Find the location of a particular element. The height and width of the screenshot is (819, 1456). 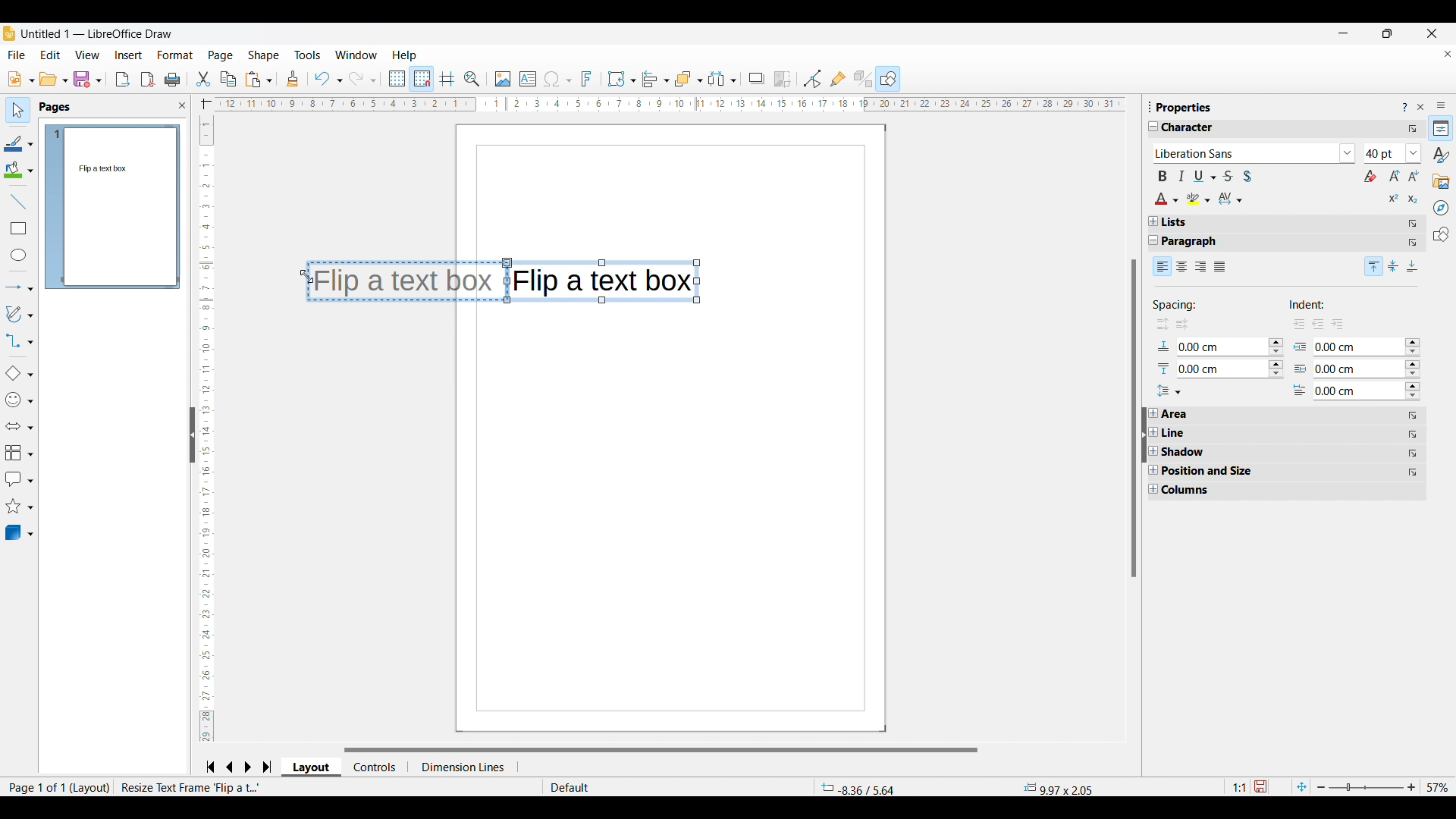

Untitled 1 - Libreoffice draw is located at coordinates (96, 33).